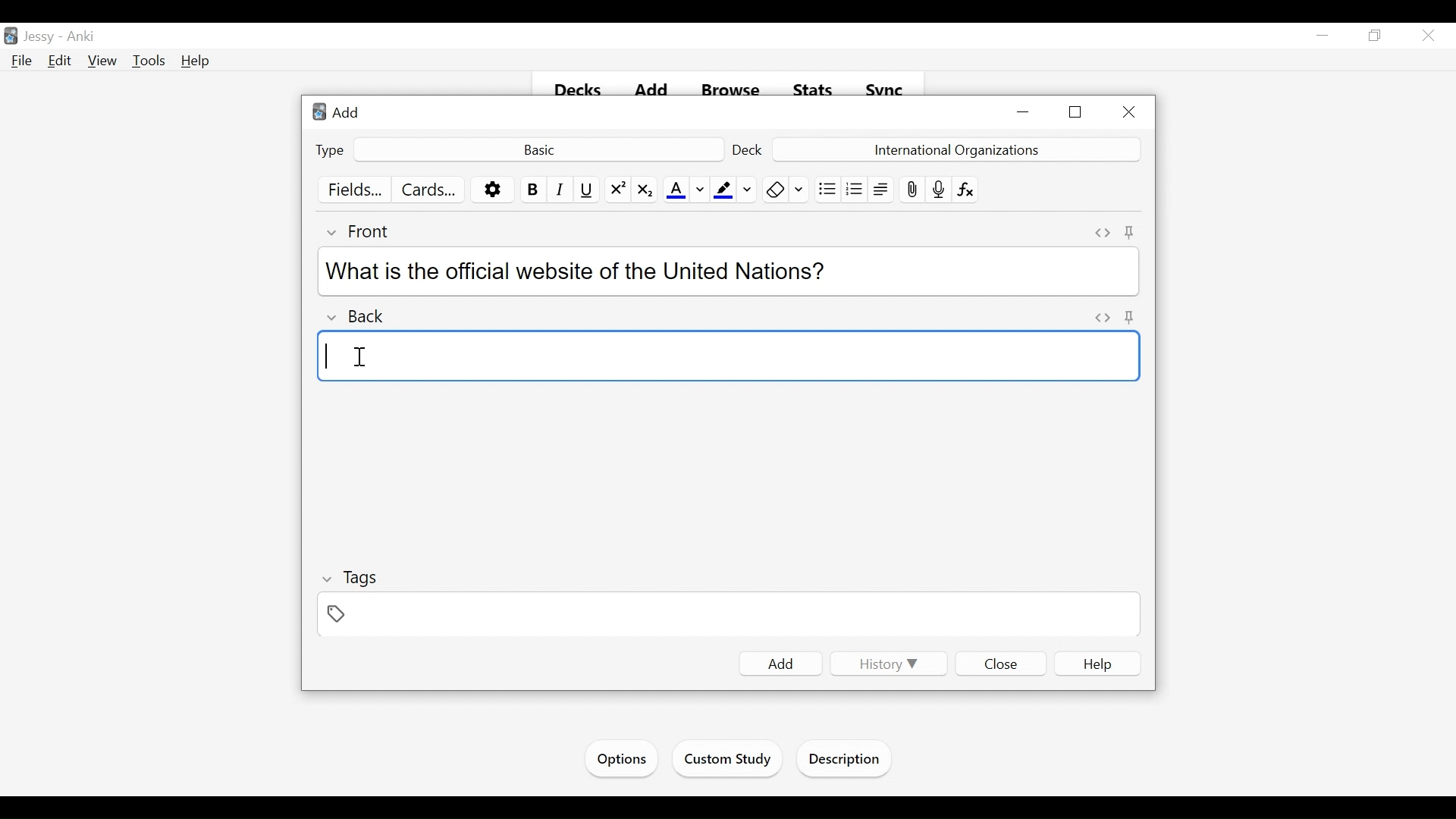 The width and height of the screenshot is (1456, 819). I want to click on Close, so click(1000, 664).